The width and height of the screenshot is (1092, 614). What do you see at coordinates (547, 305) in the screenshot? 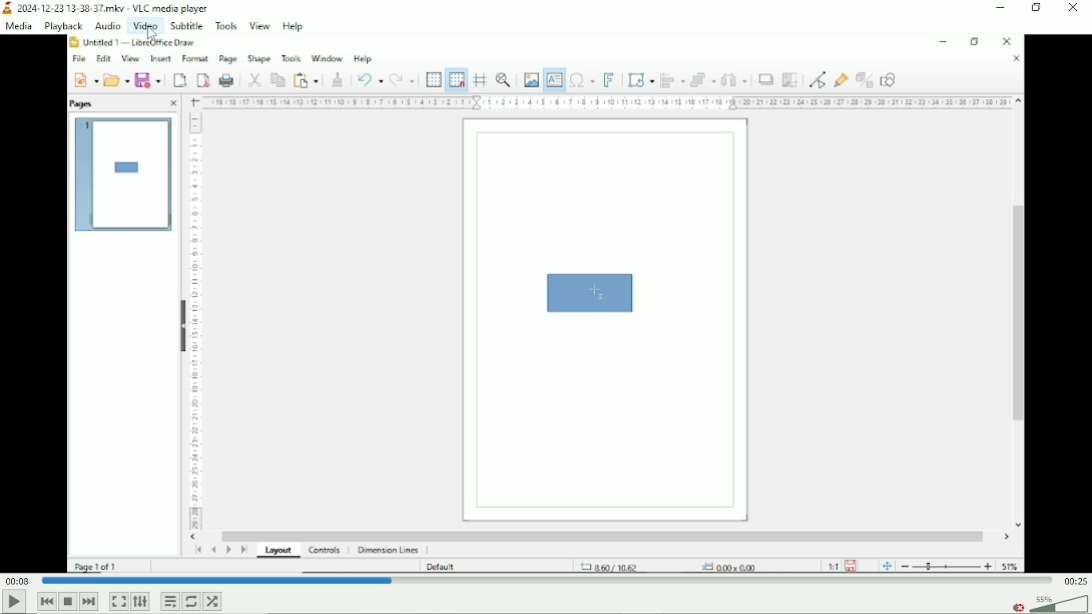
I see `Video` at bounding box center [547, 305].